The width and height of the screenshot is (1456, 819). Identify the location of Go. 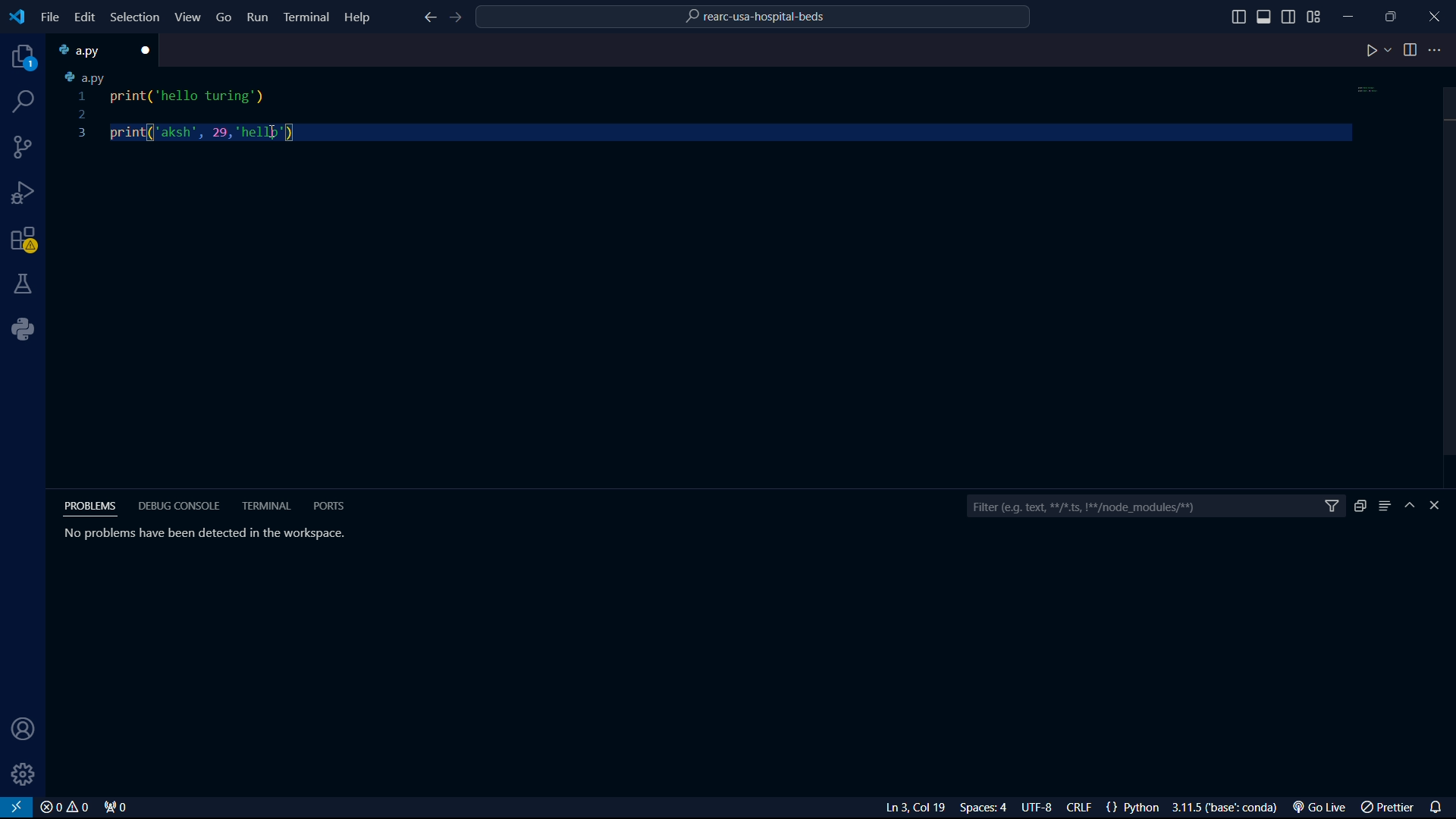
(224, 16).